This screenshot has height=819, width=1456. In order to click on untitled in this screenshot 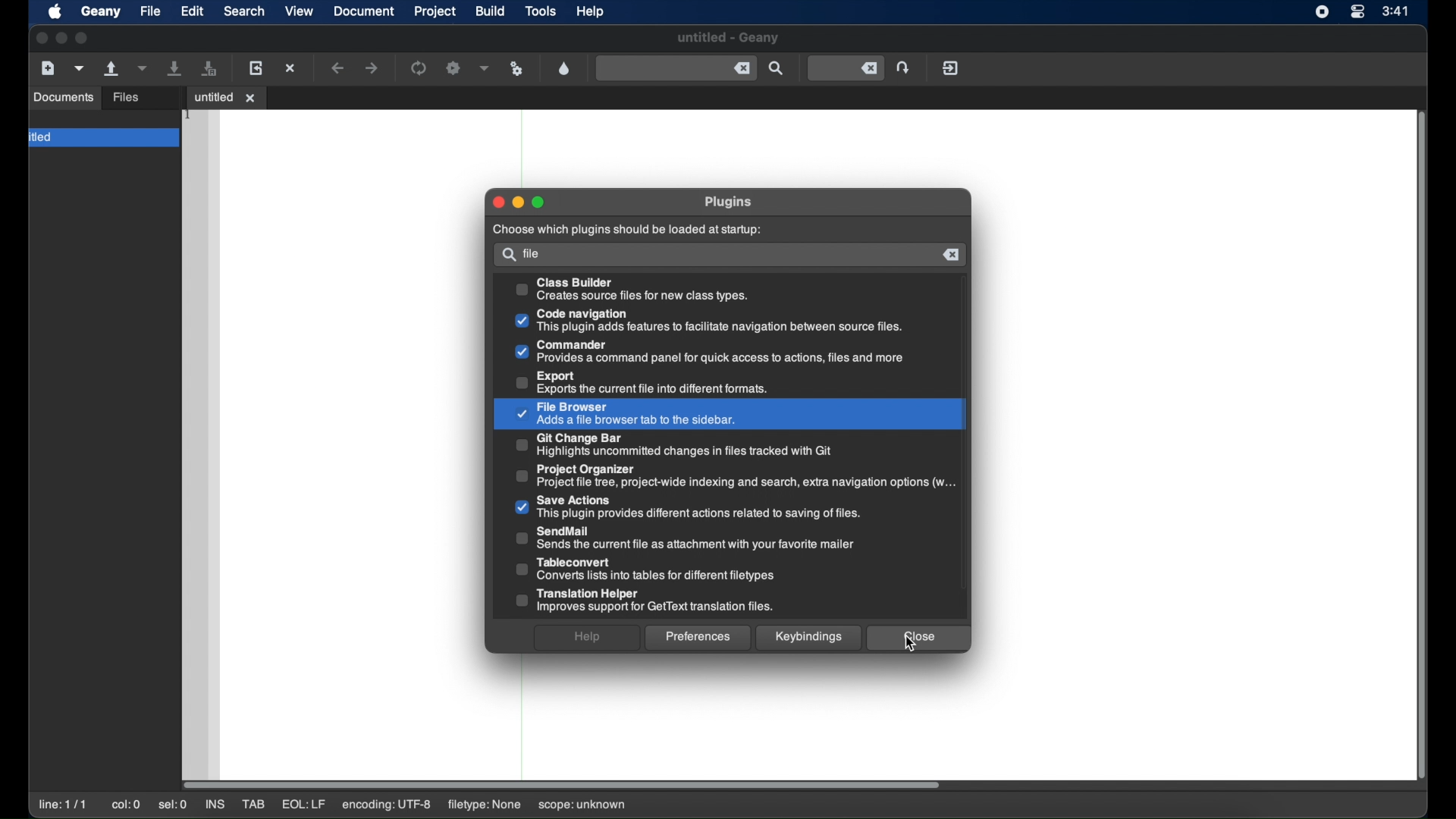, I will do `click(102, 139)`.